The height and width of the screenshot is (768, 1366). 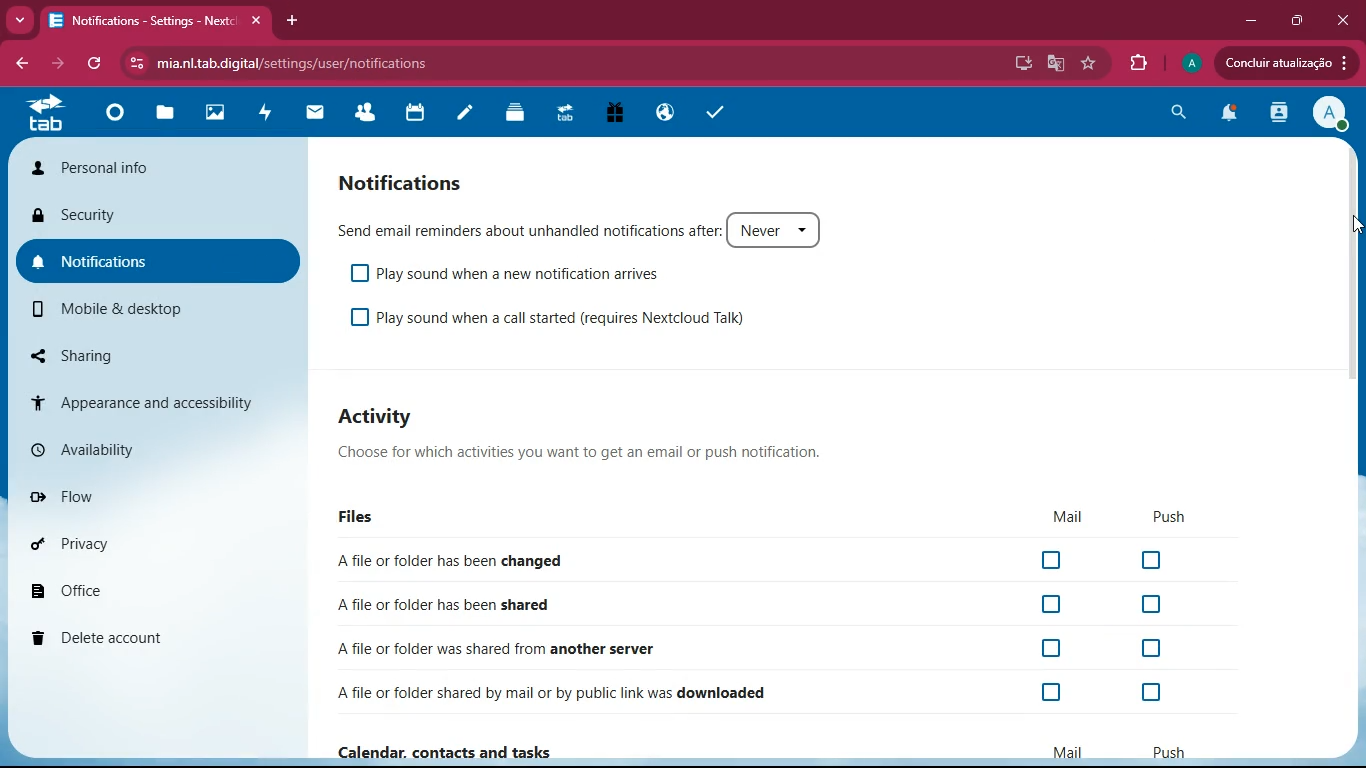 What do you see at coordinates (136, 312) in the screenshot?
I see `mobile & desktop` at bounding box center [136, 312].